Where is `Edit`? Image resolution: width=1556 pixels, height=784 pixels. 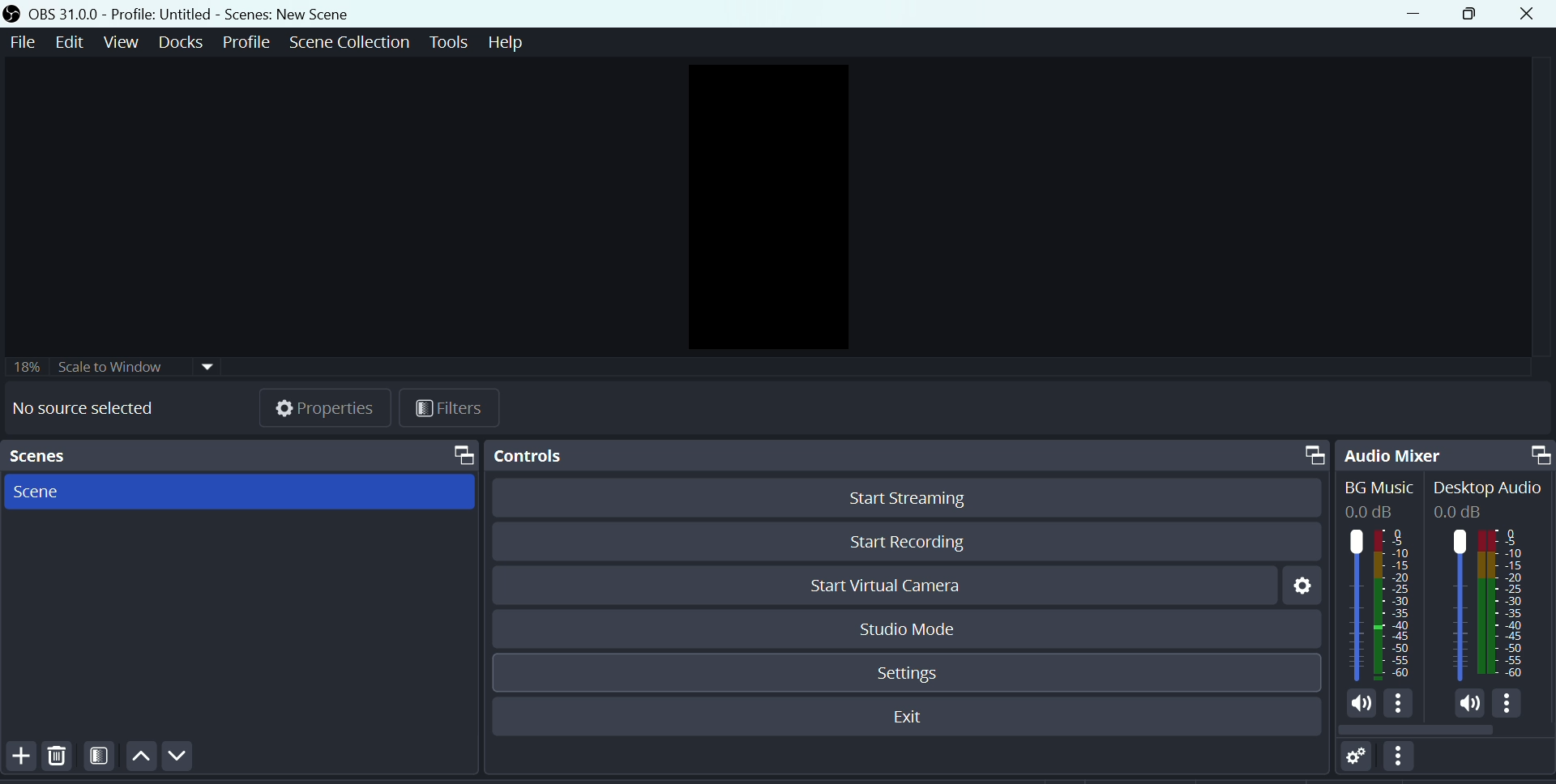 Edit is located at coordinates (69, 44).